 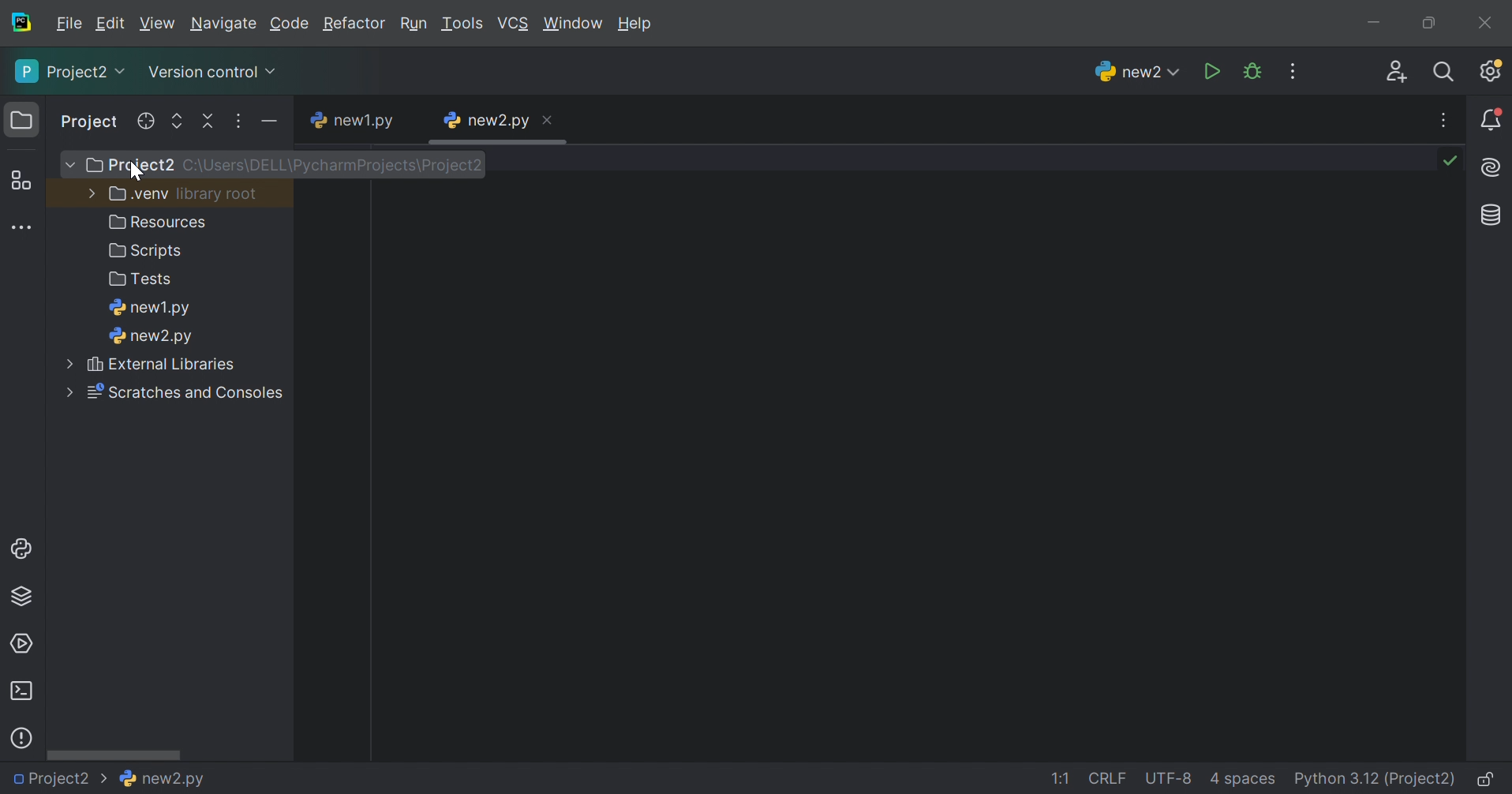 I want to click on Python 3:12 (Project2), so click(x=1376, y=780).